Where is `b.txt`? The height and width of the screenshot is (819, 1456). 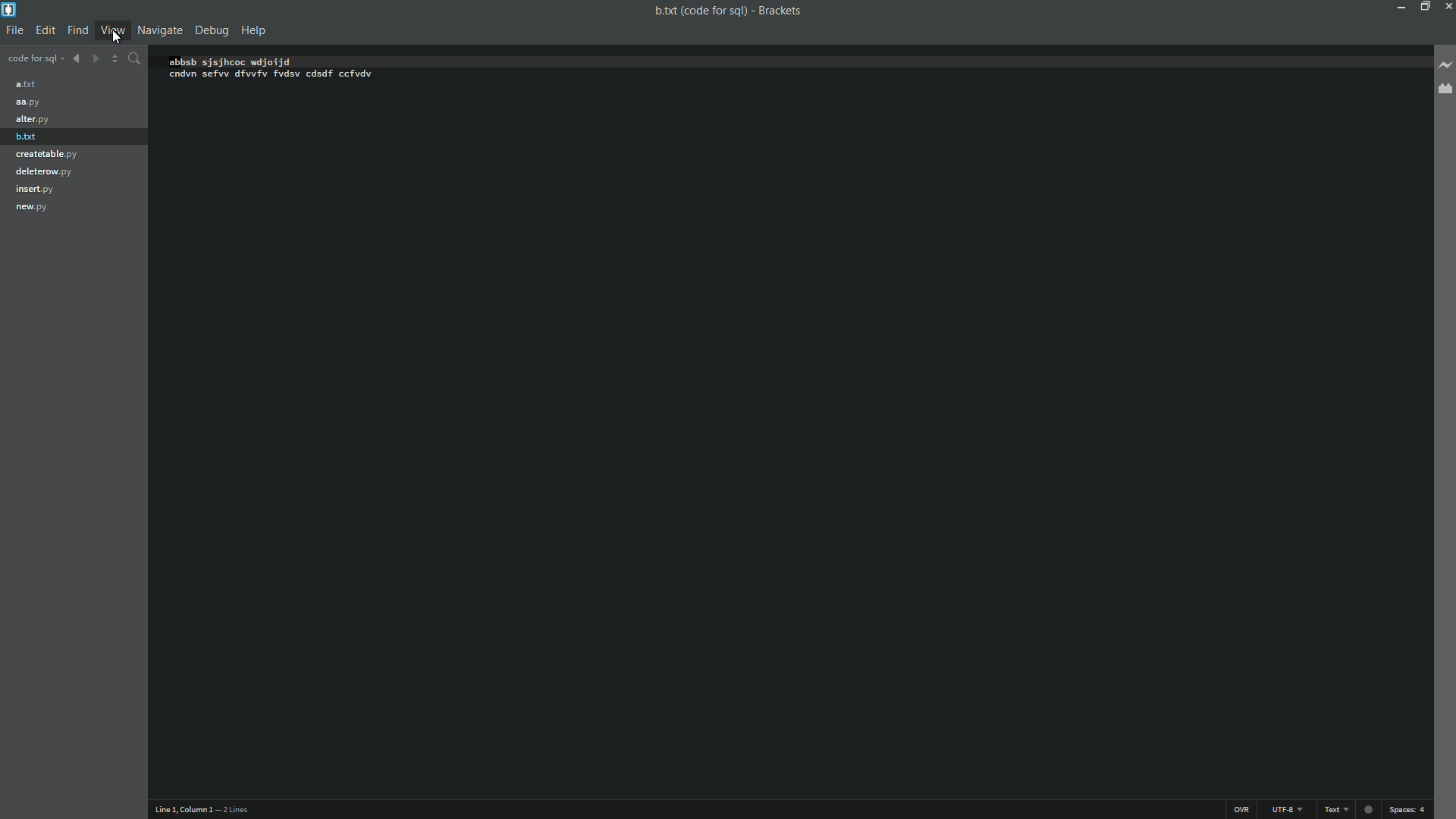
b.txt is located at coordinates (28, 136).